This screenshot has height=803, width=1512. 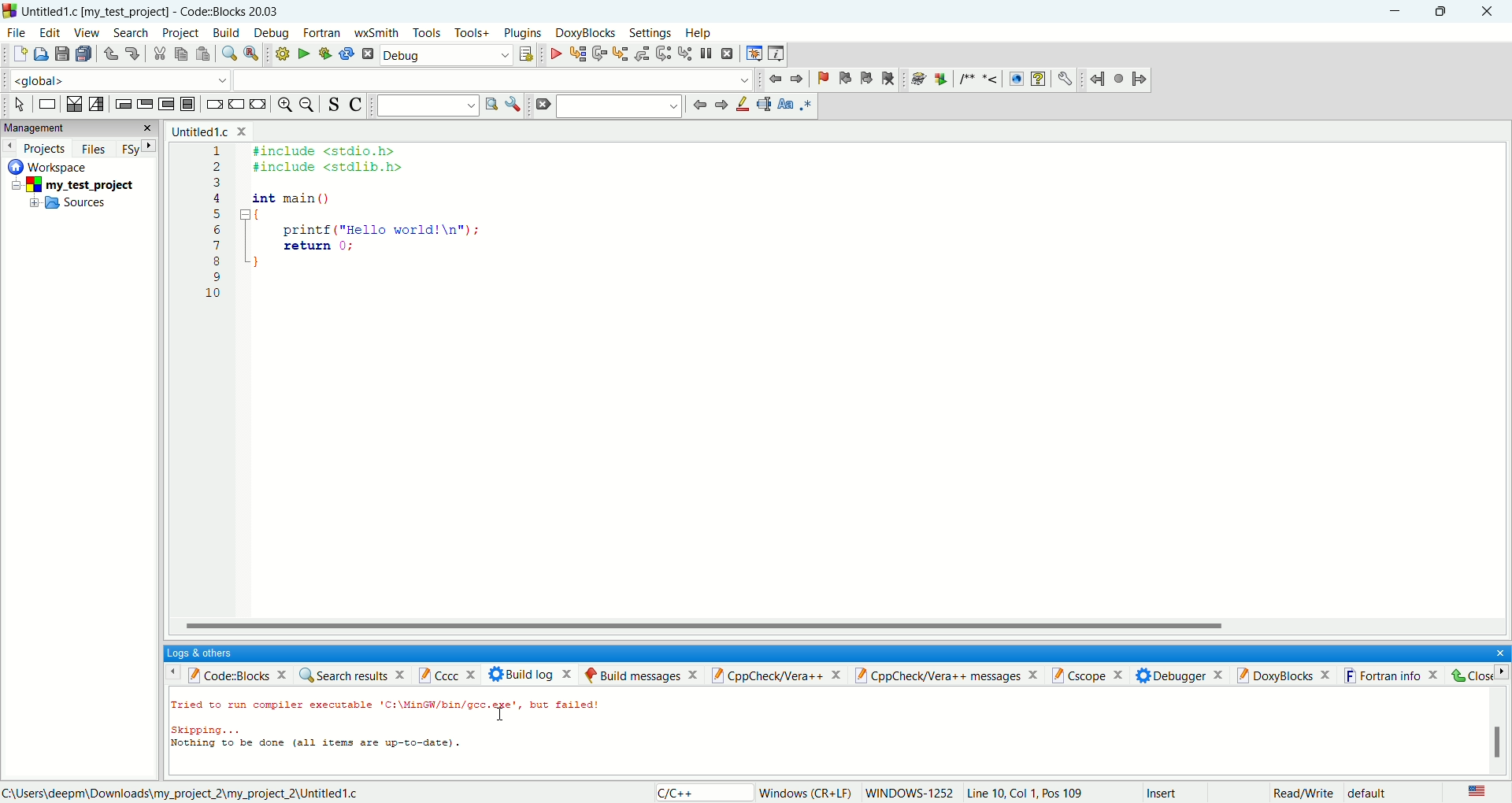 I want to click on jump forward, so click(x=721, y=105).